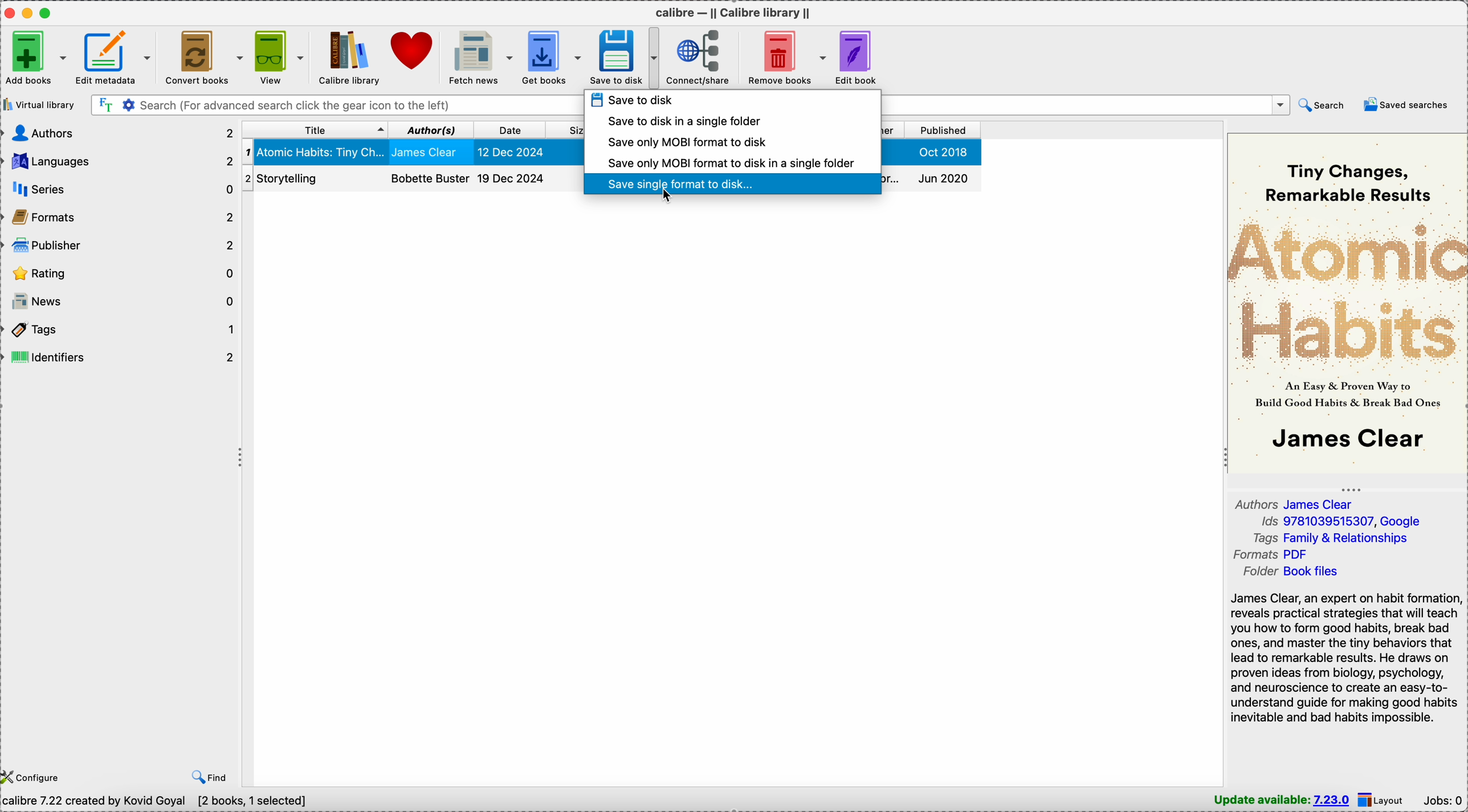  What do you see at coordinates (48, 11) in the screenshot?
I see `maximize Calibre` at bounding box center [48, 11].